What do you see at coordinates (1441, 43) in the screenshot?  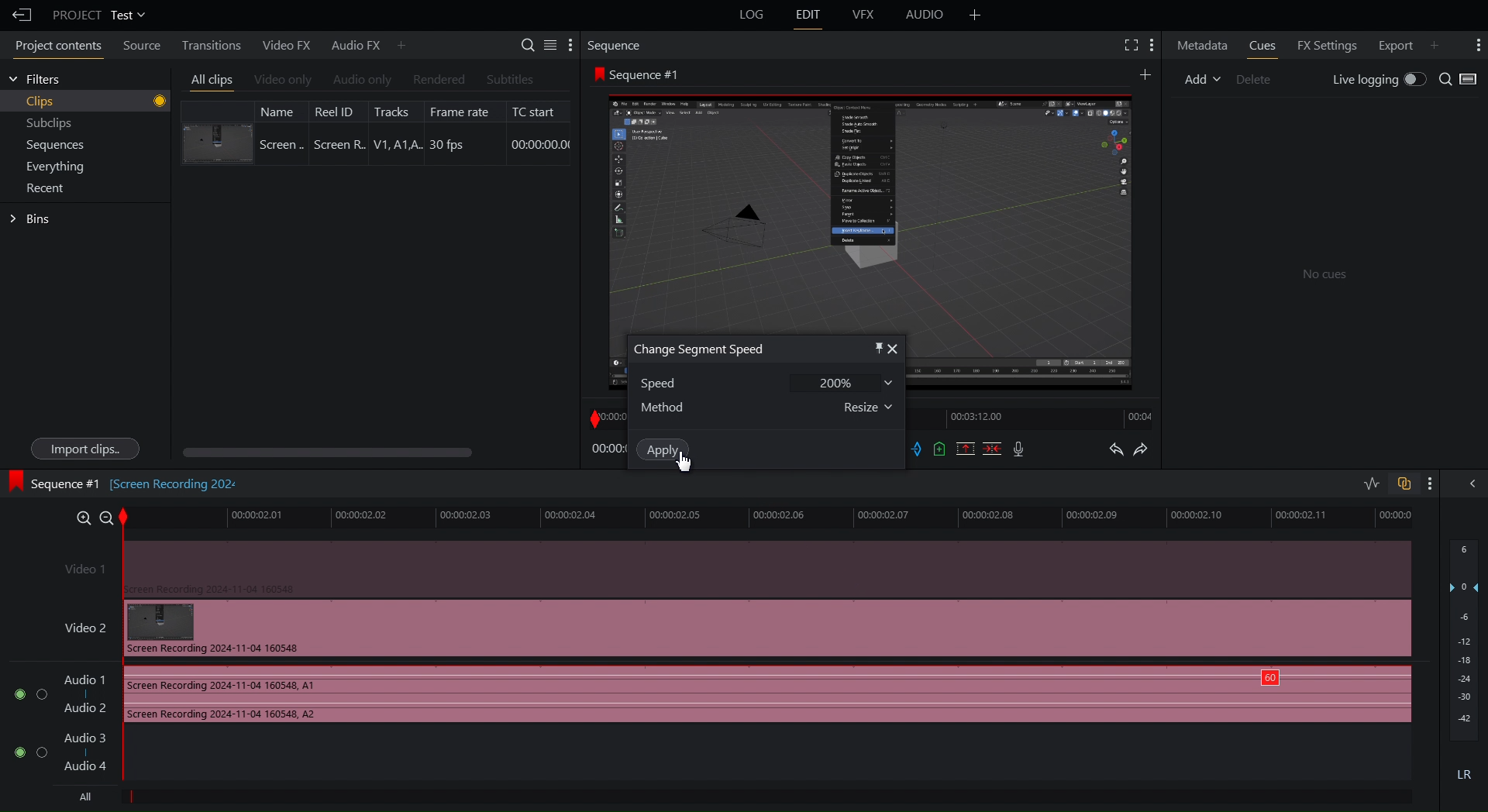 I see `More` at bounding box center [1441, 43].